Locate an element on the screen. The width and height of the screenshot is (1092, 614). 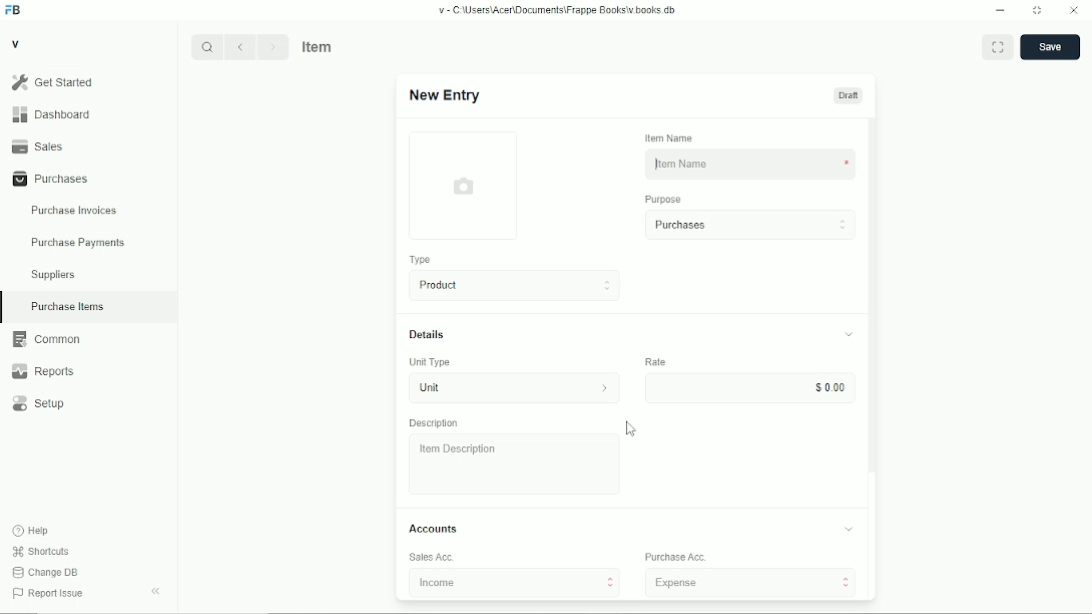
Next is located at coordinates (273, 46).